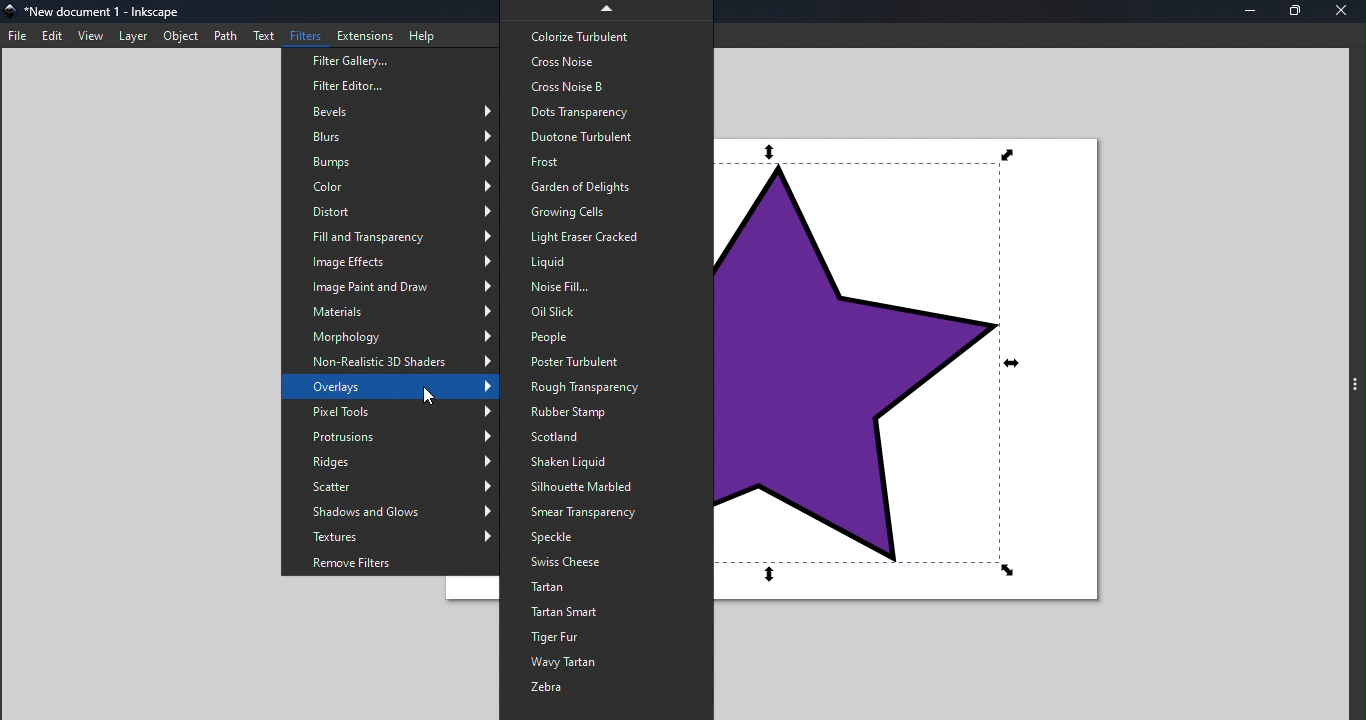 This screenshot has width=1366, height=720. What do you see at coordinates (923, 370) in the screenshot?
I see `Canvas` at bounding box center [923, 370].